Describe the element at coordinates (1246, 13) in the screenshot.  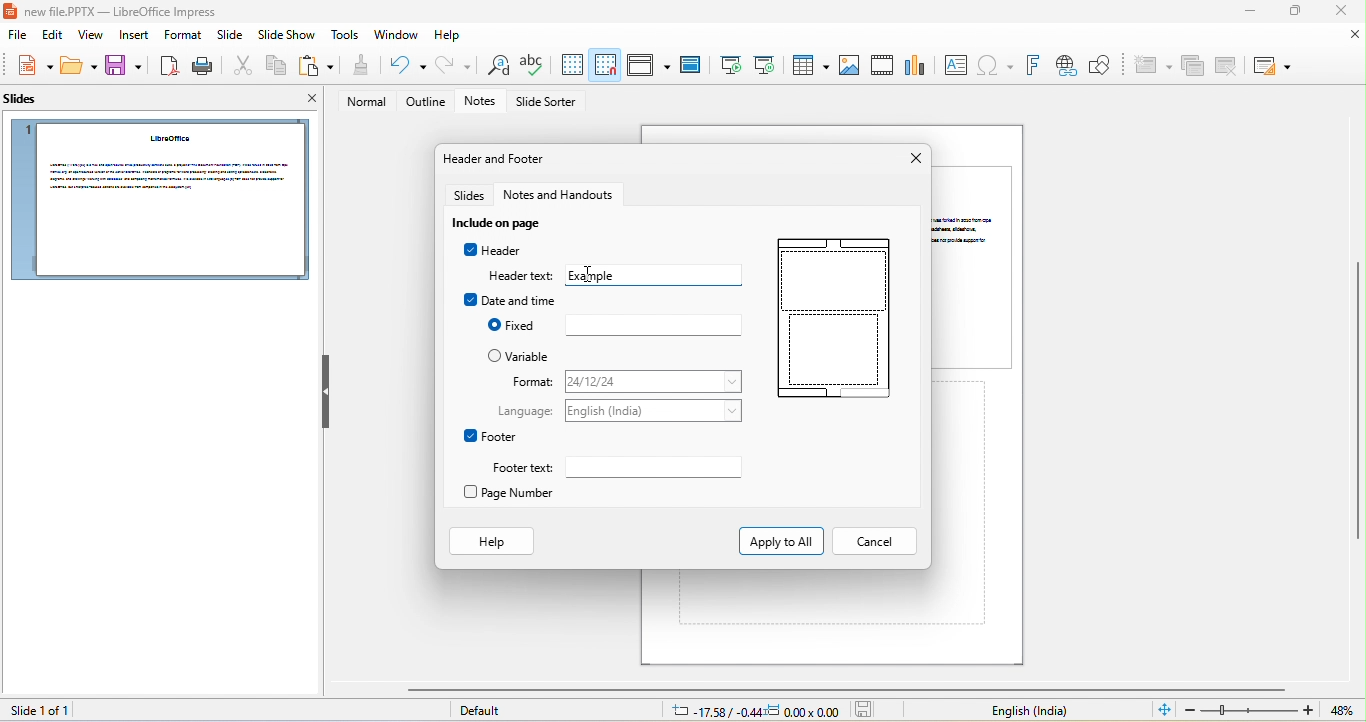
I see `minimize` at that location.